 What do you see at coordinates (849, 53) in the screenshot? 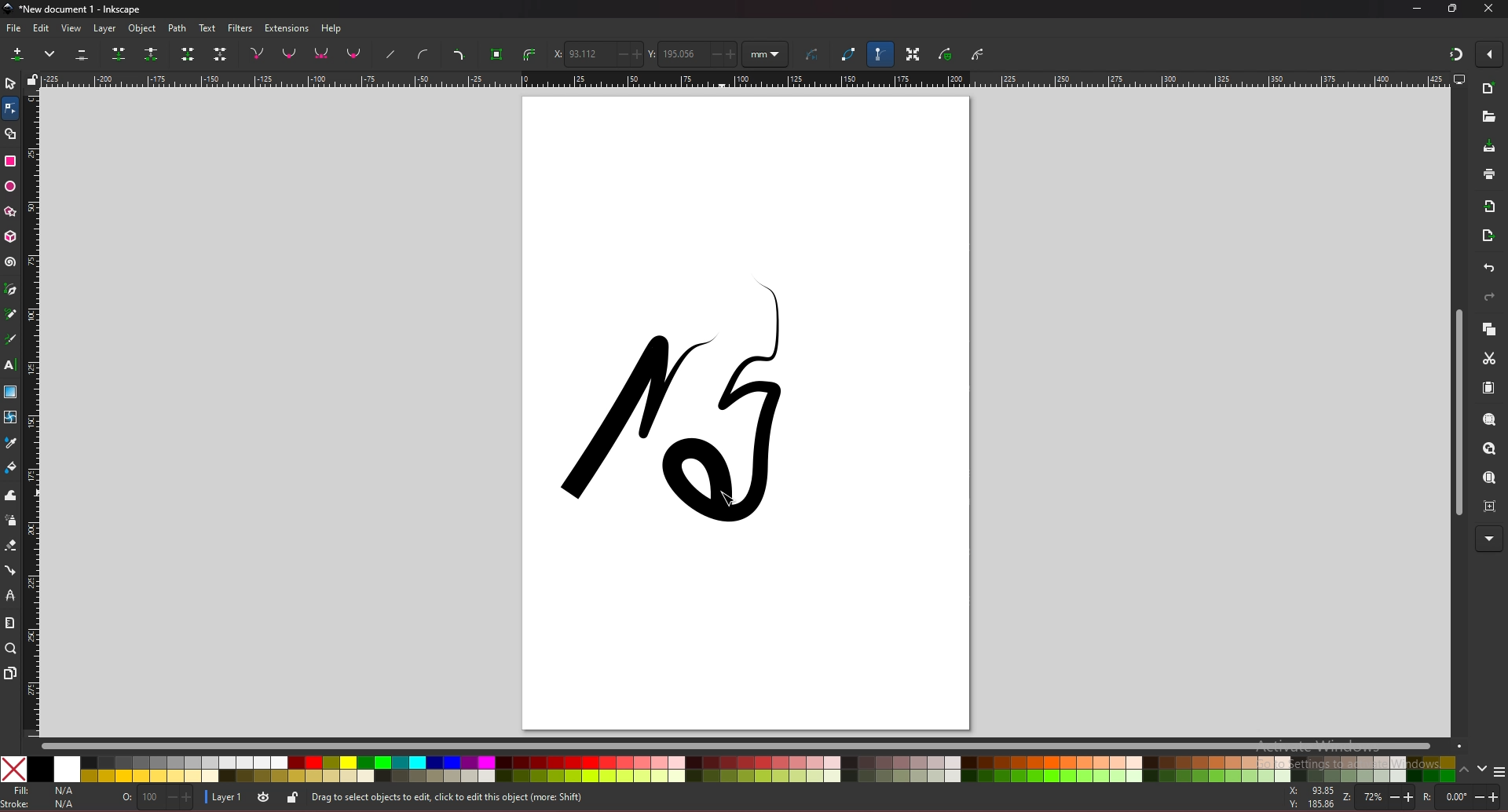
I see `path outline` at bounding box center [849, 53].